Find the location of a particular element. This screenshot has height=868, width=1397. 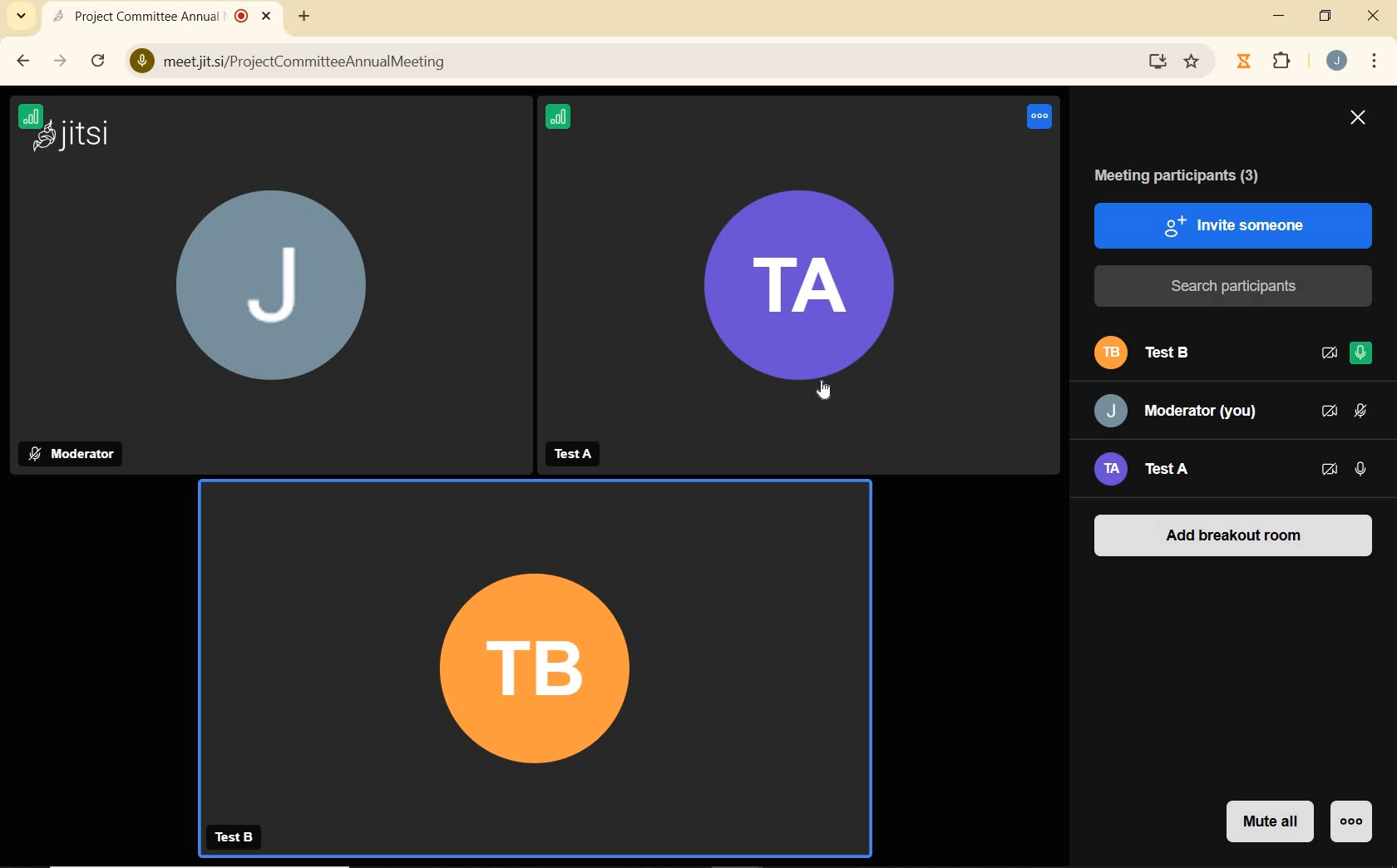

Test B is located at coordinates (1185, 353).